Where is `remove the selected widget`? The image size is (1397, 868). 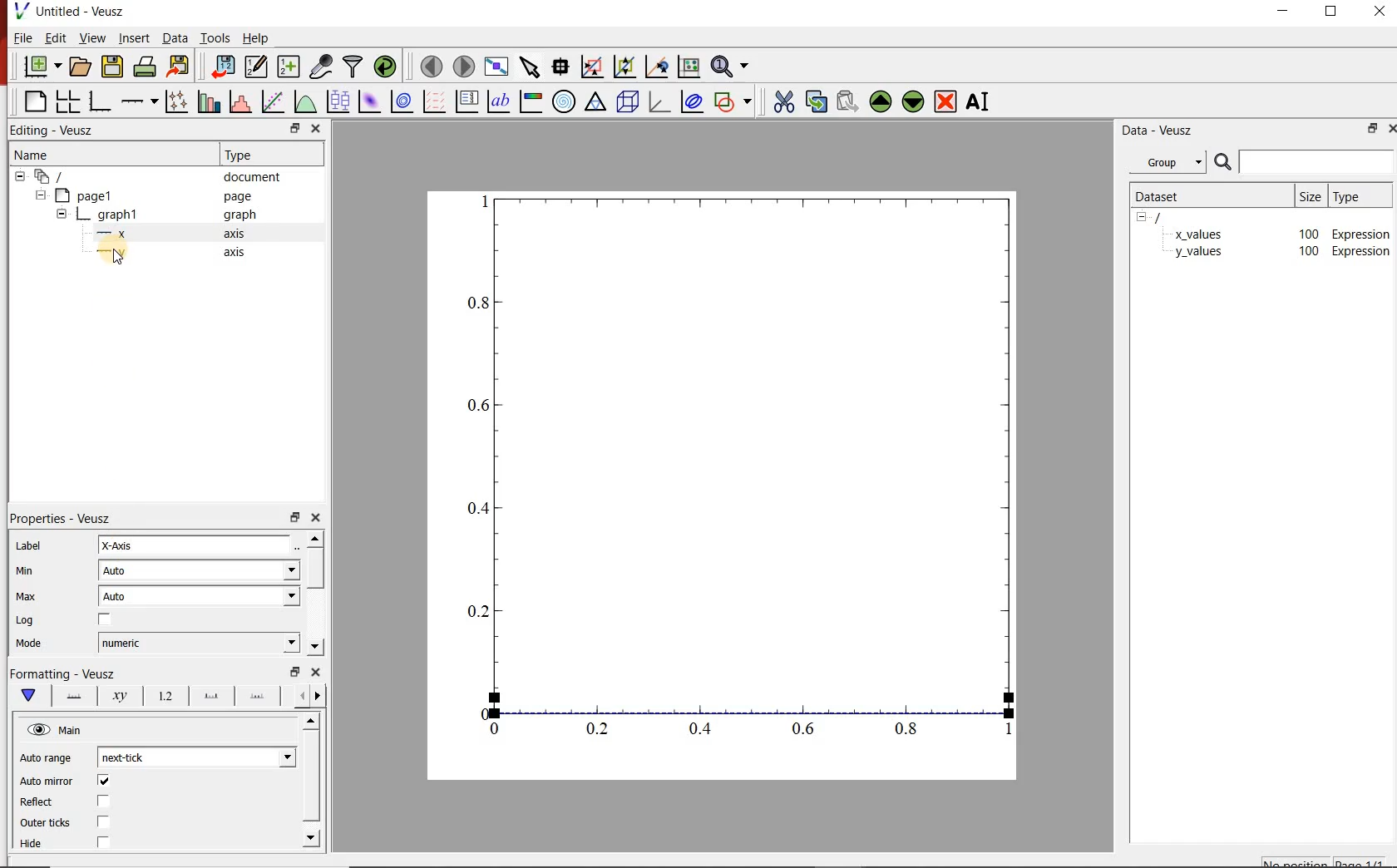
remove the selected widget is located at coordinates (945, 104).